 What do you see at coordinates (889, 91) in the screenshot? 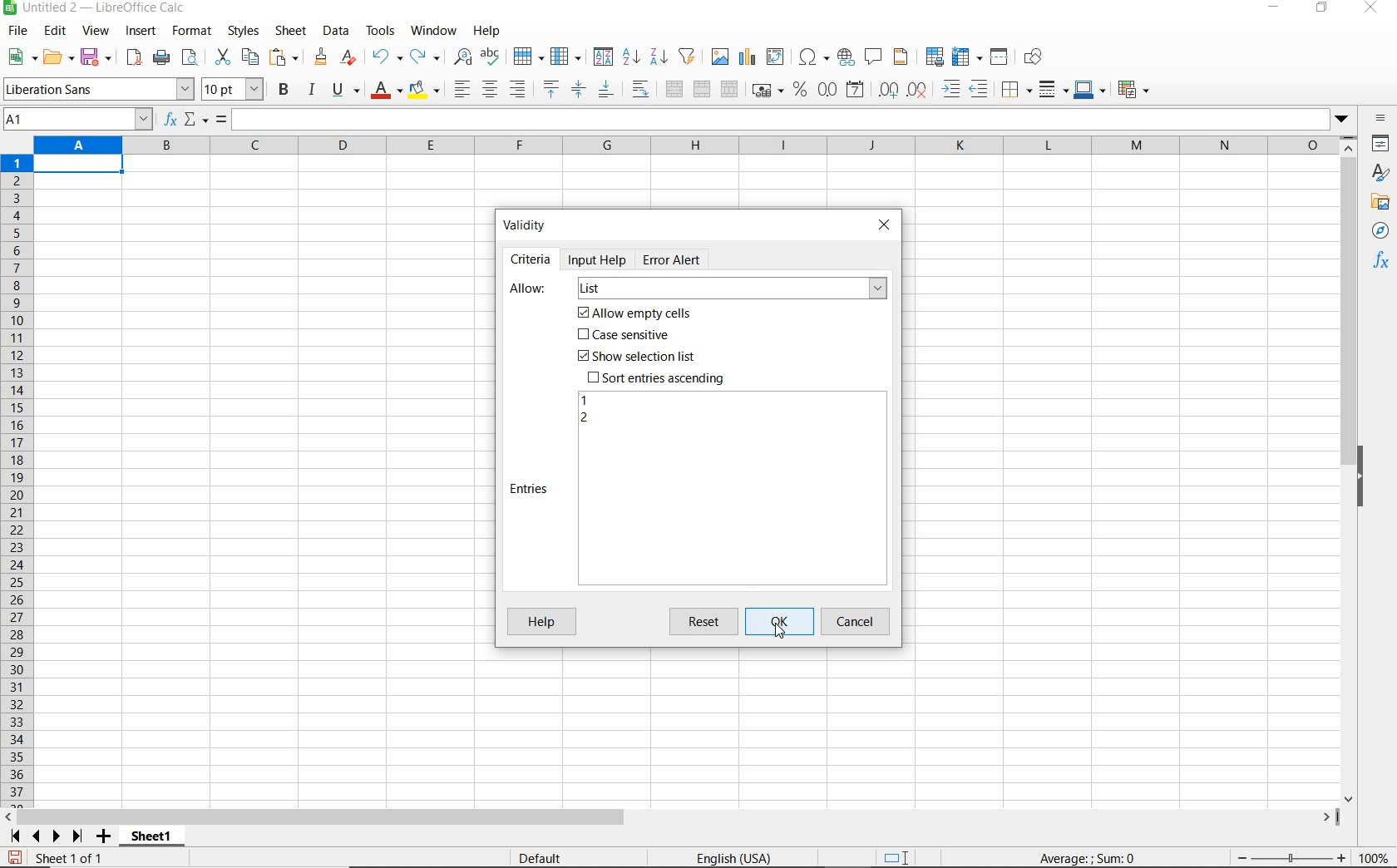
I see `add decimal place` at bounding box center [889, 91].